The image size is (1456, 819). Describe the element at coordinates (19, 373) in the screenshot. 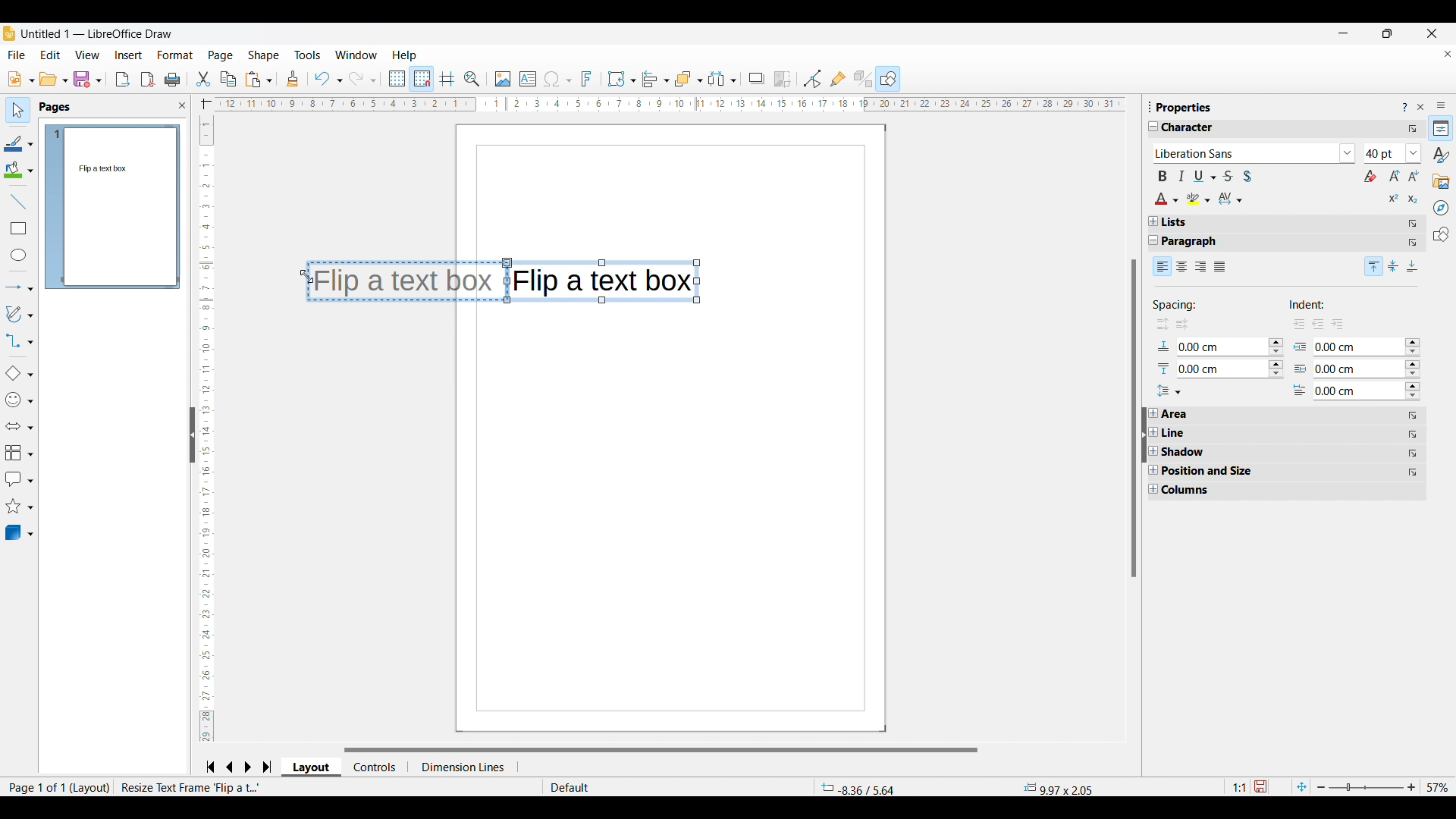

I see `Basic shape options` at that location.